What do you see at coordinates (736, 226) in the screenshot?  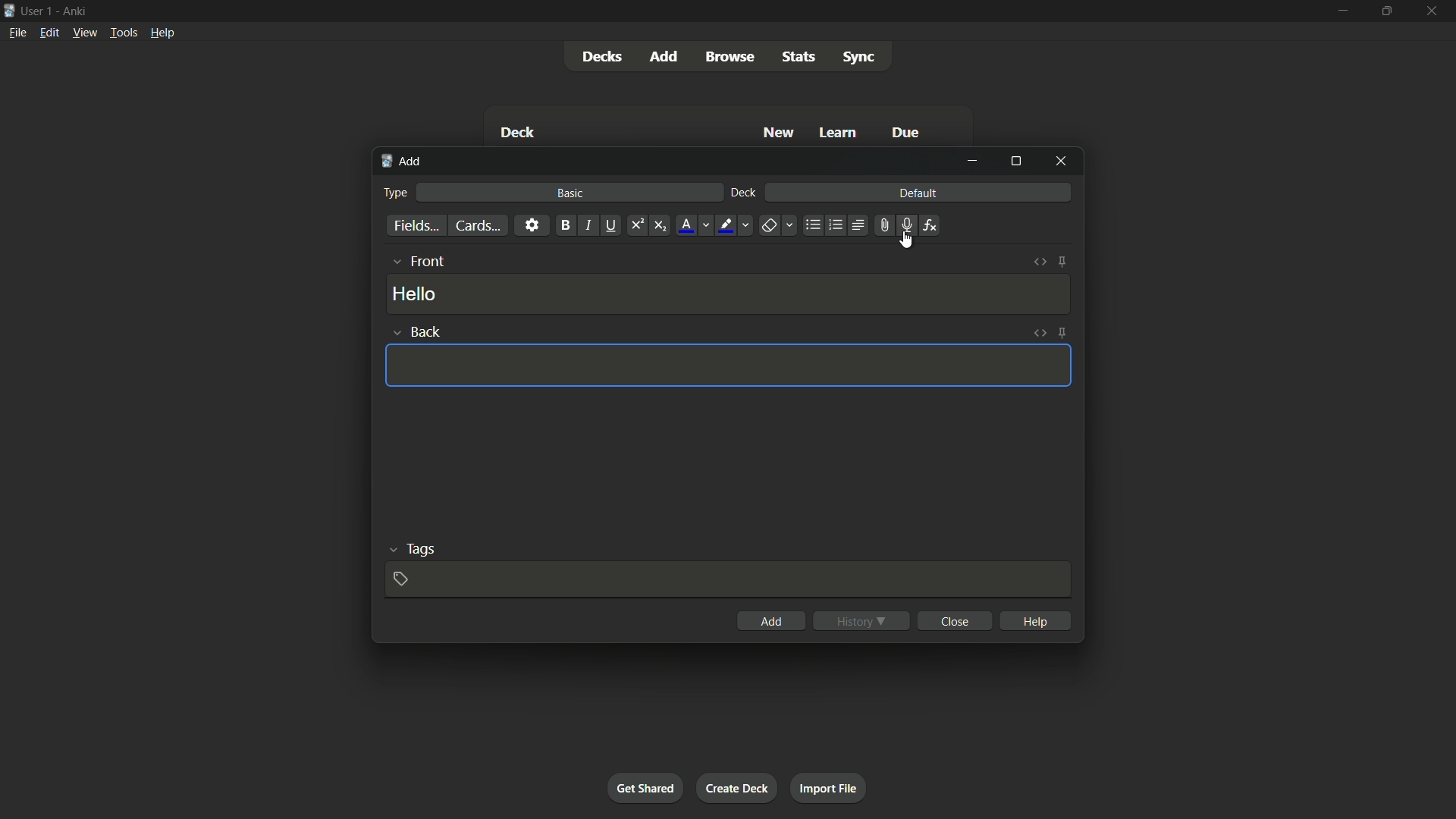 I see `highlight text` at bounding box center [736, 226].